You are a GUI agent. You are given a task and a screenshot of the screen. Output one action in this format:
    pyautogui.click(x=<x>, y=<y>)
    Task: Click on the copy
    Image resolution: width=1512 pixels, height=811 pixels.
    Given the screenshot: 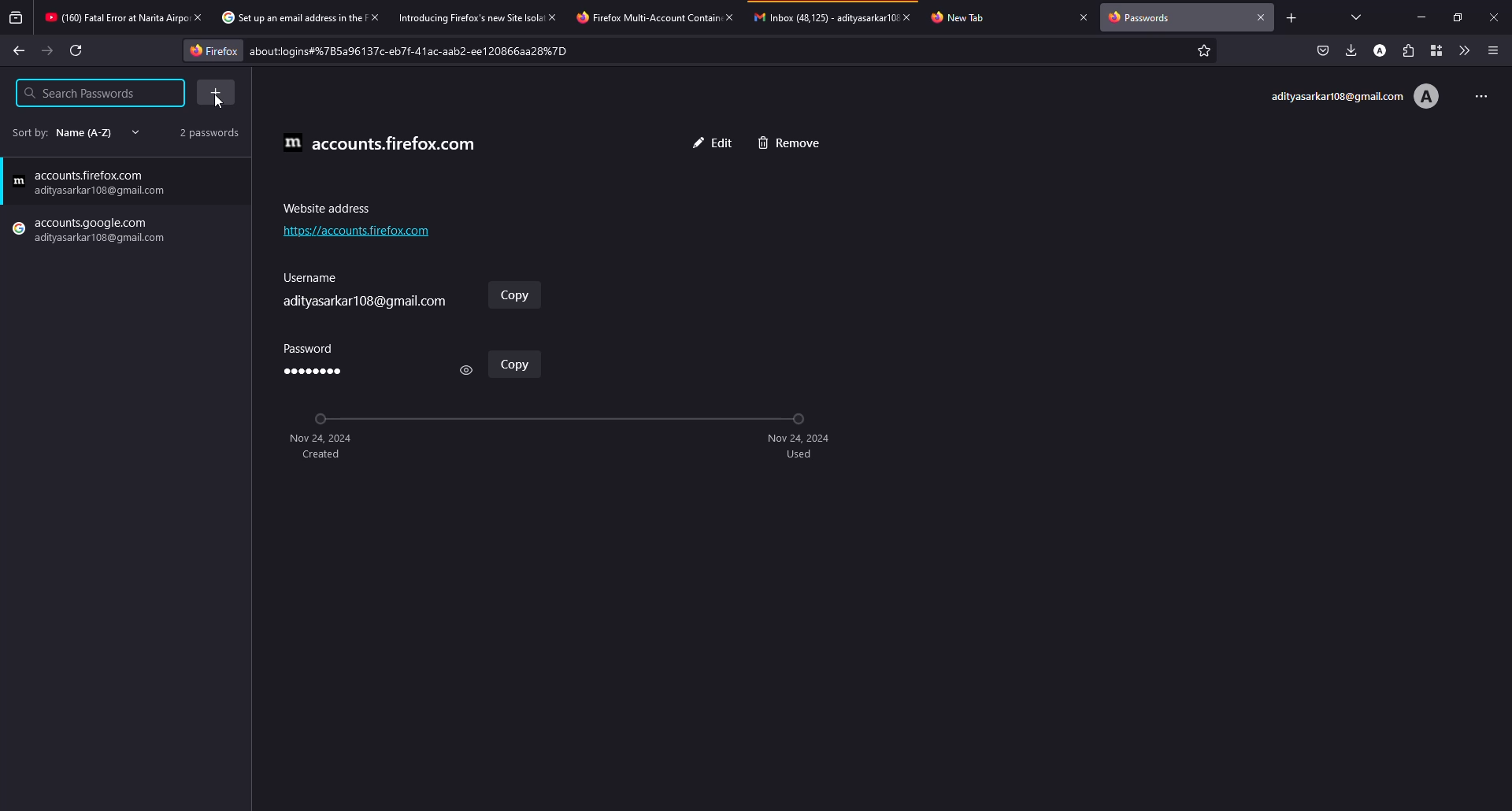 What is the action you would take?
    pyautogui.click(x=511, y=365)
    